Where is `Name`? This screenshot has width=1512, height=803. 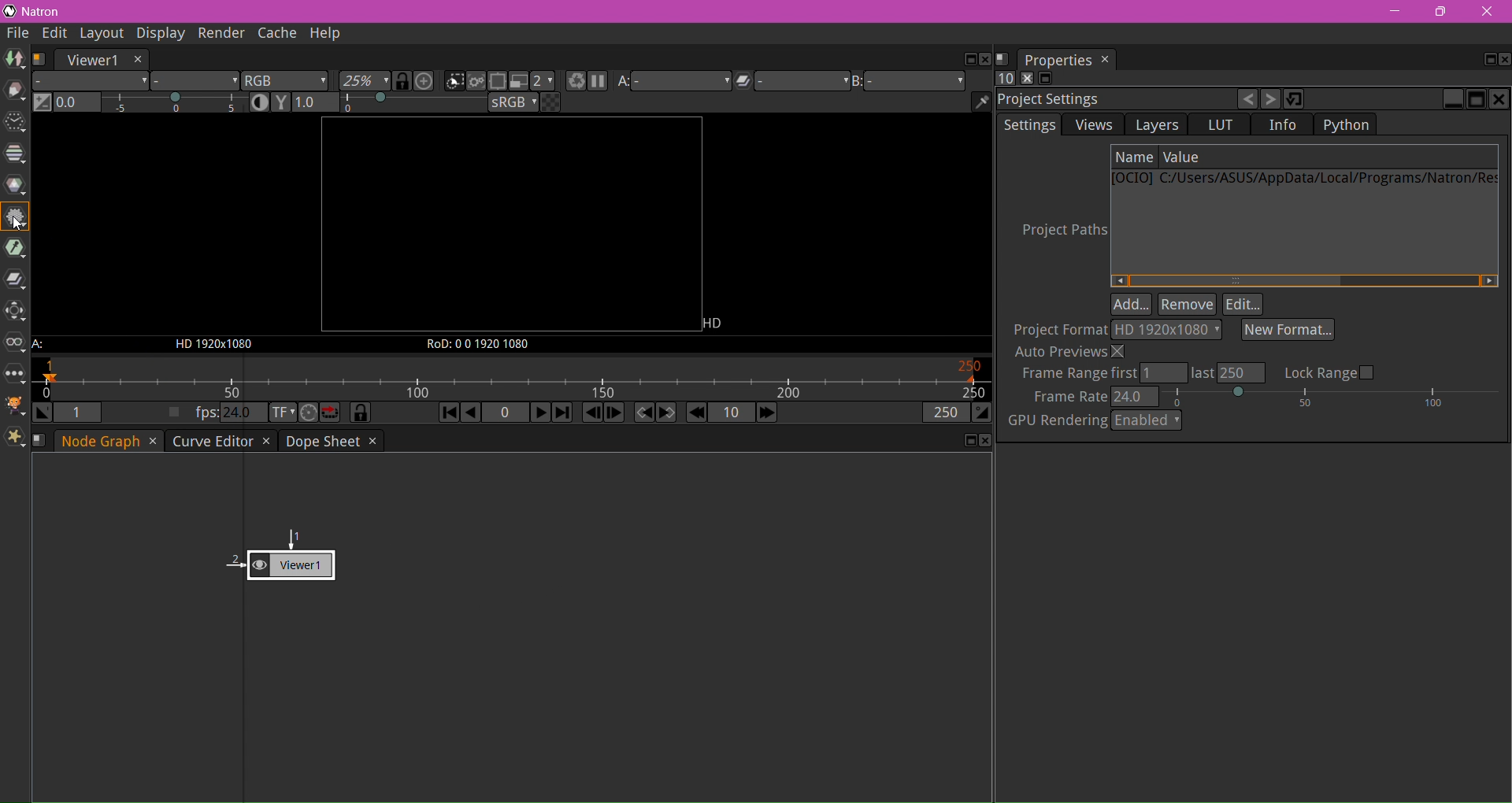
Name is located at coordinates (1135, 157).